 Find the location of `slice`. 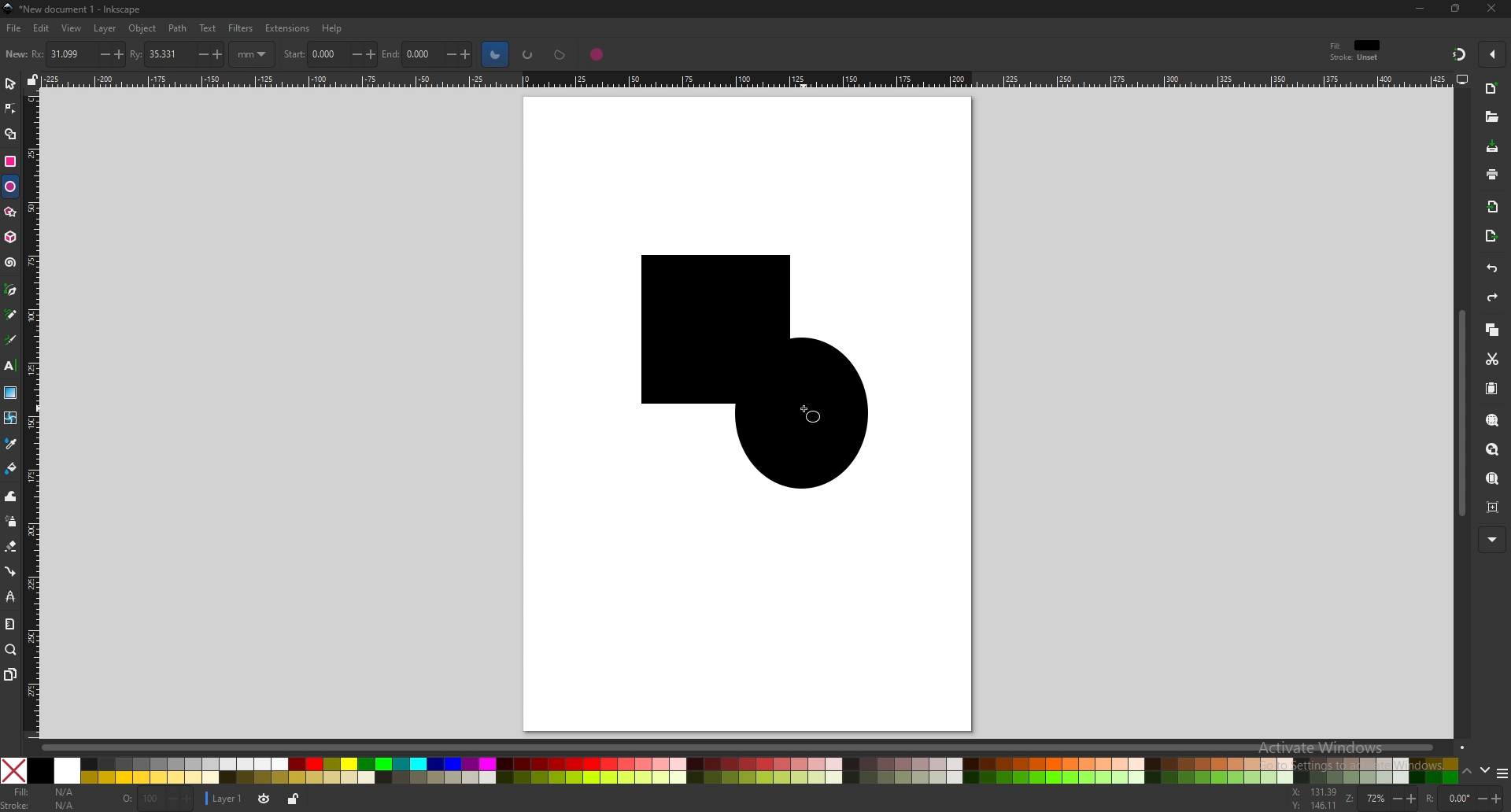

slice is located at coordinates (495, 54).